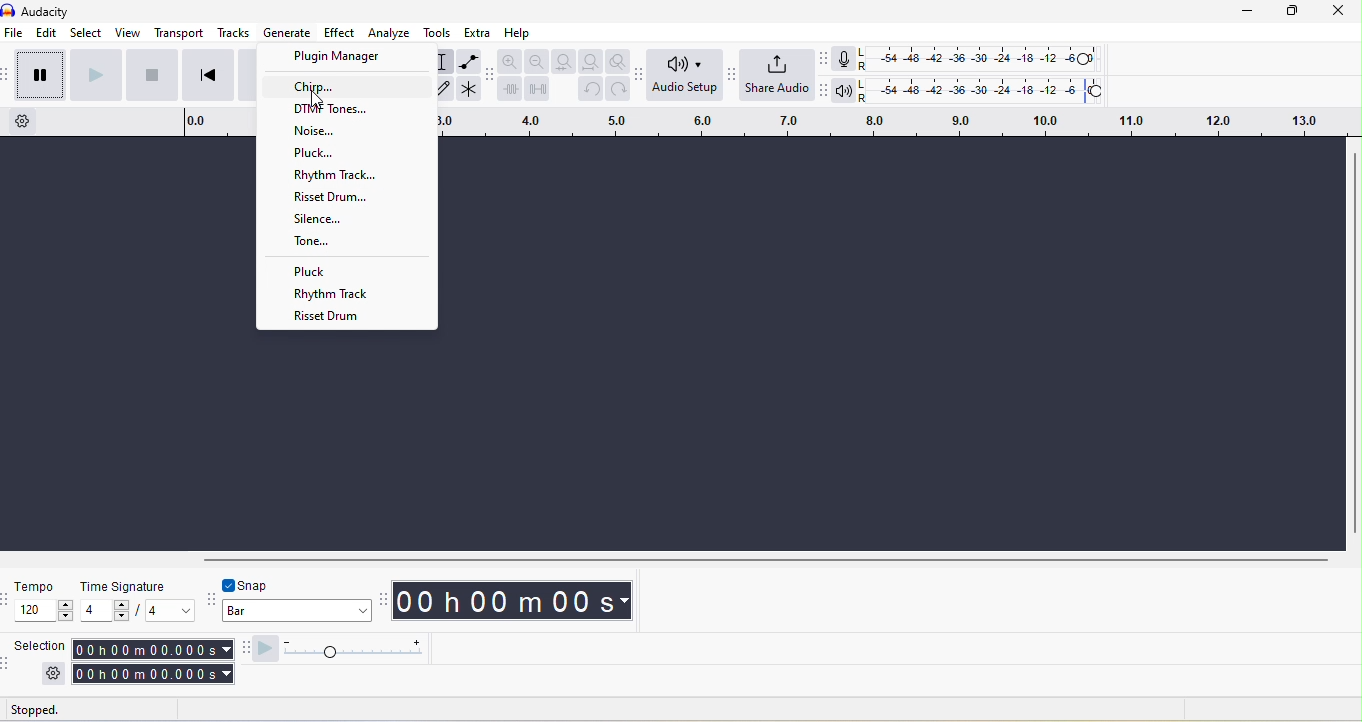  I want to click on zoom toggle, so click(620, 62).